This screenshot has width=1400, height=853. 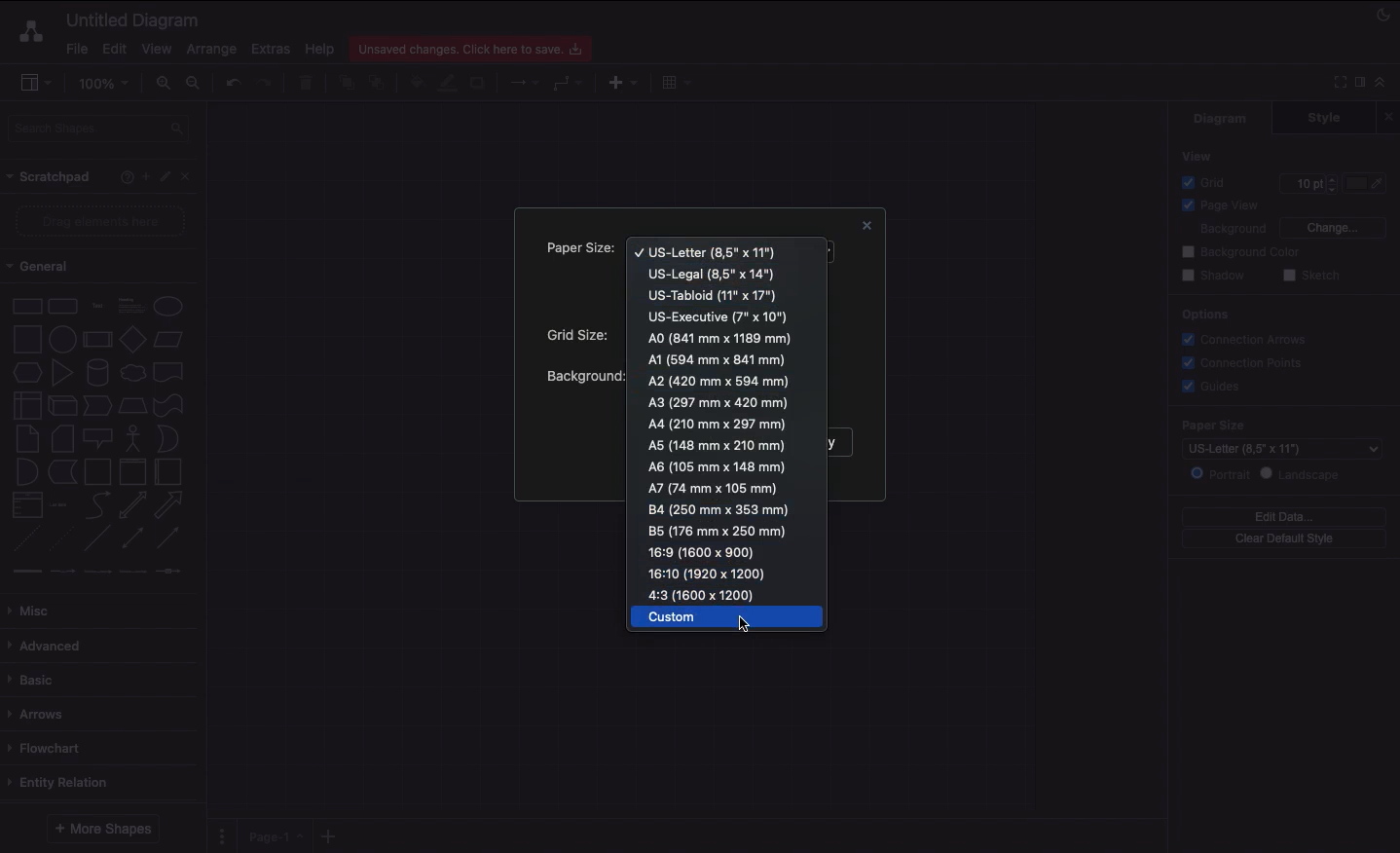 What do you see at coordinates (319, 48) in the screenshot?
I see `Help` at bounding box center [319, 48].